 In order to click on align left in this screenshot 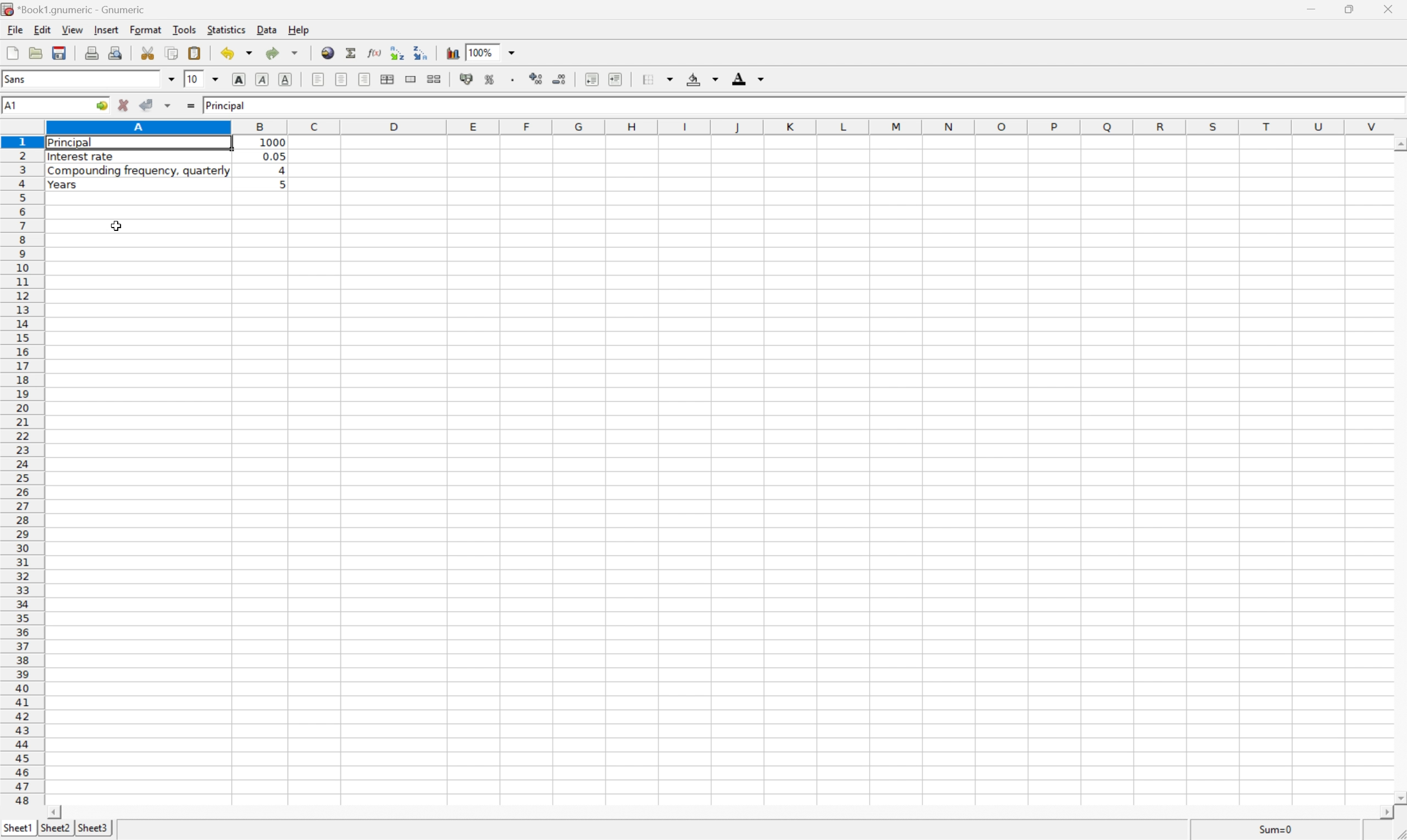, I will do `click(318, 78)`.